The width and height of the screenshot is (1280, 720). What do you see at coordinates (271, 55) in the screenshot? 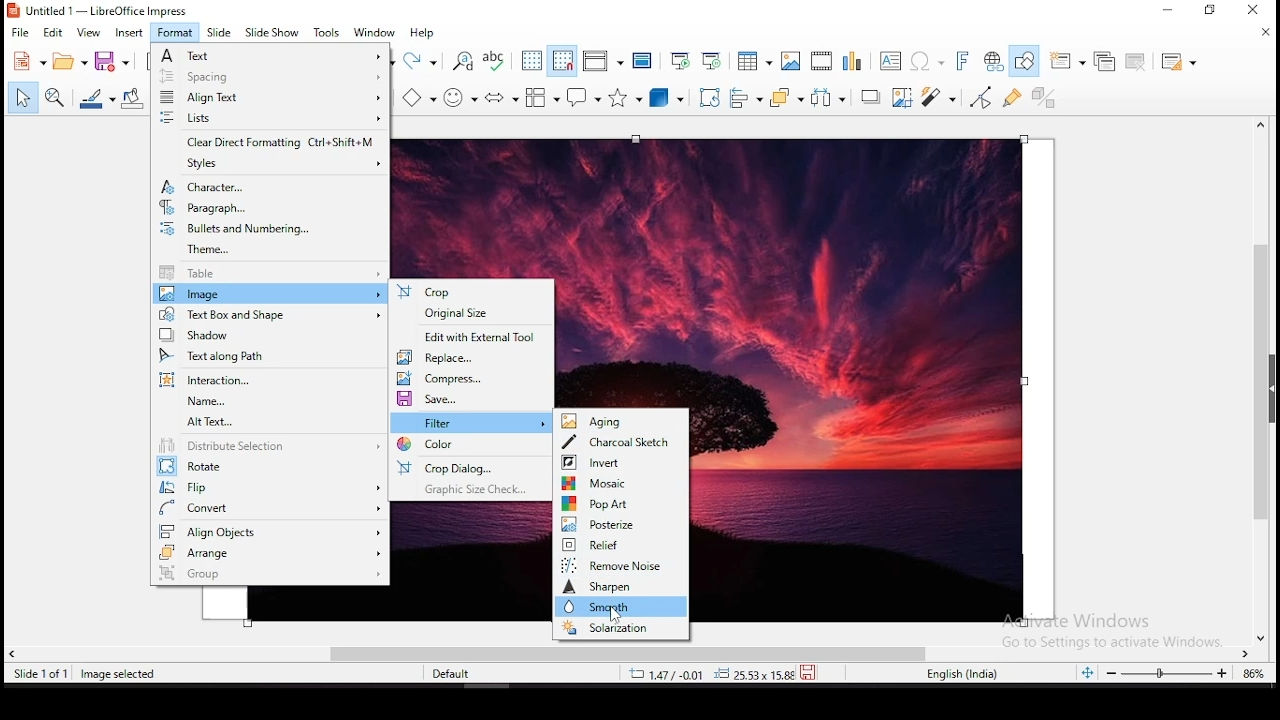
I see `text` at bounding box center [271, 55].